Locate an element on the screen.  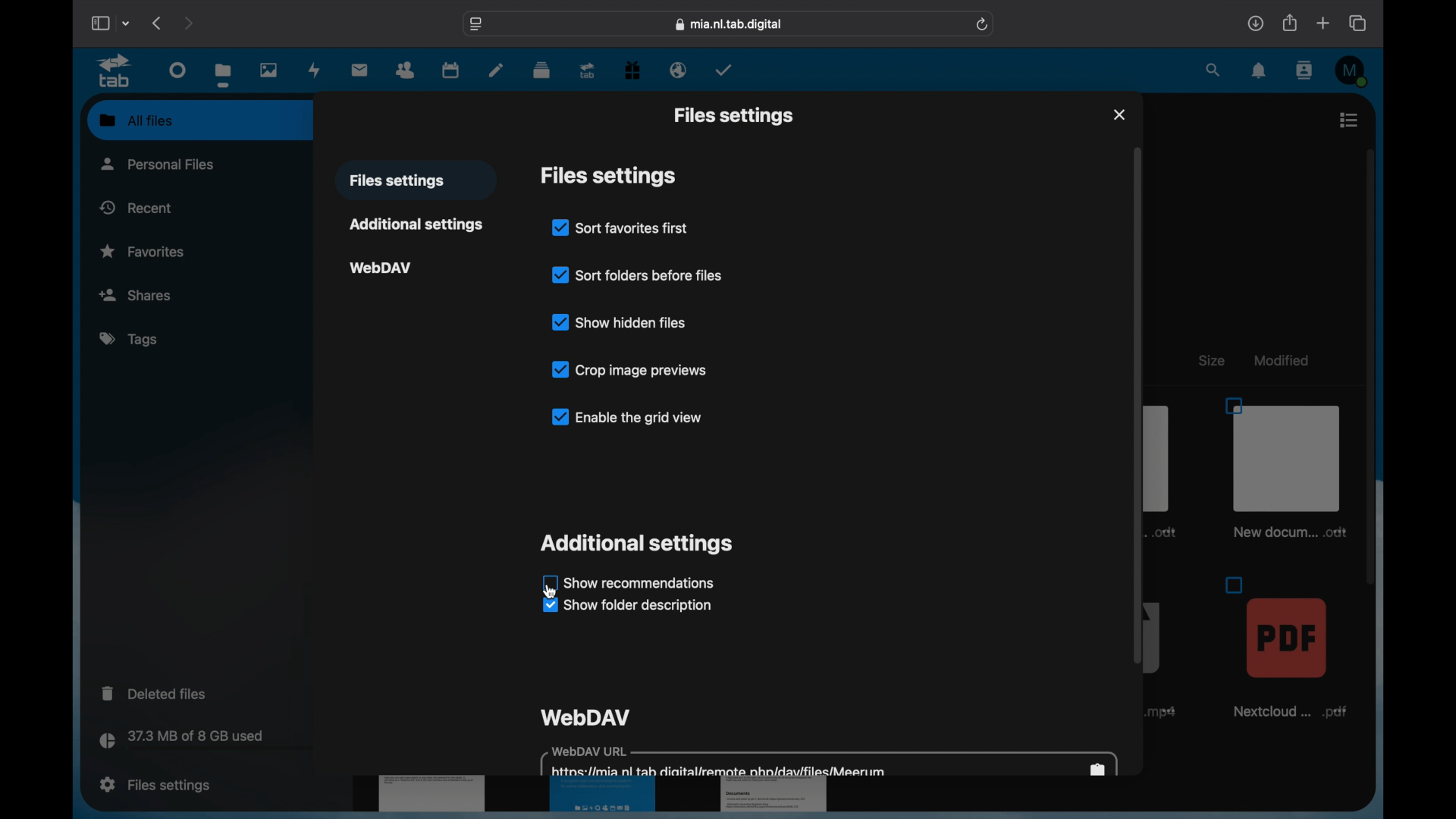
activity is located at coordinates (315, 70).